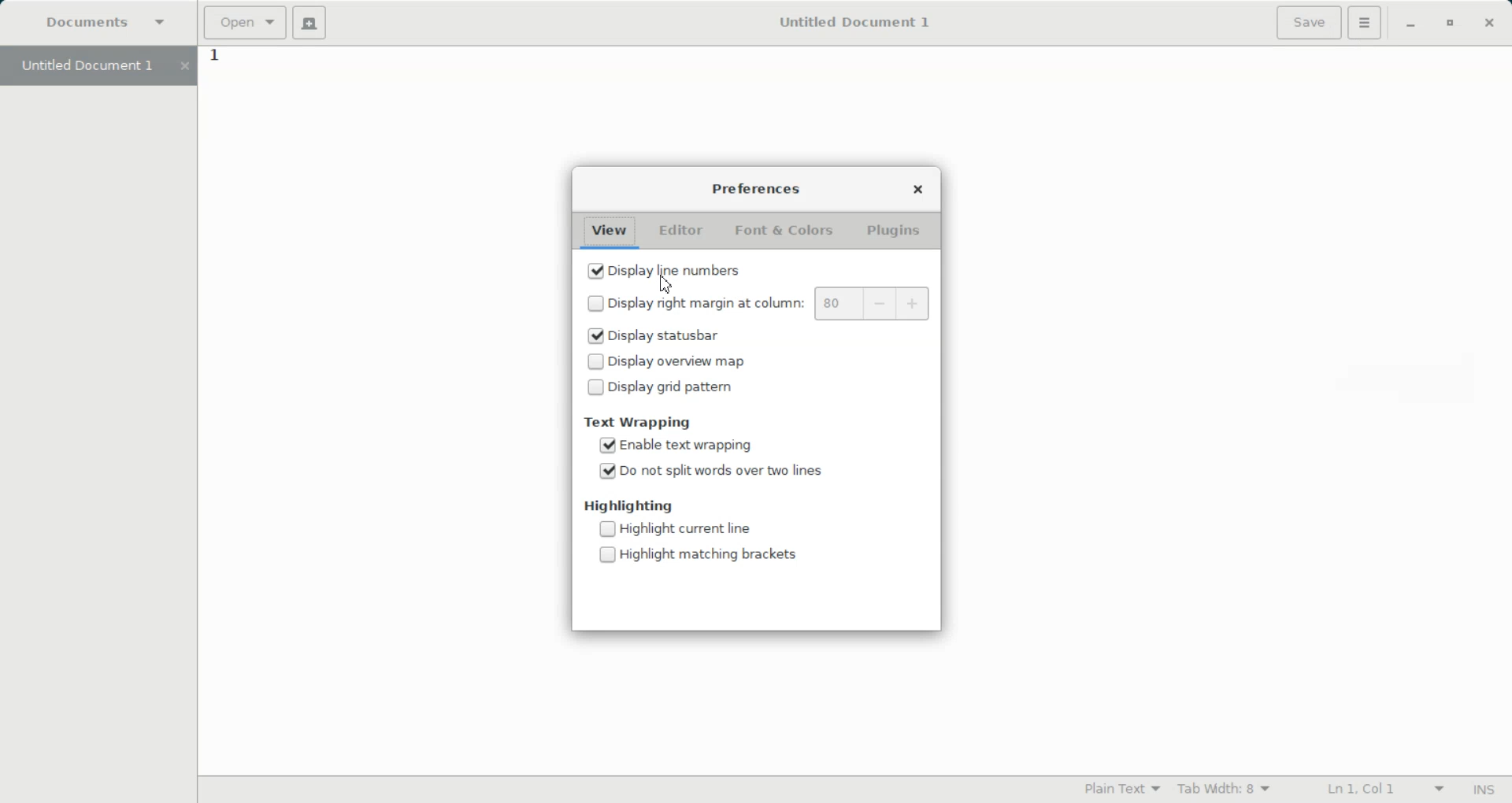 This screenshot has height=803, width=1512. I want to click on Line Column, so click(1376, 790).